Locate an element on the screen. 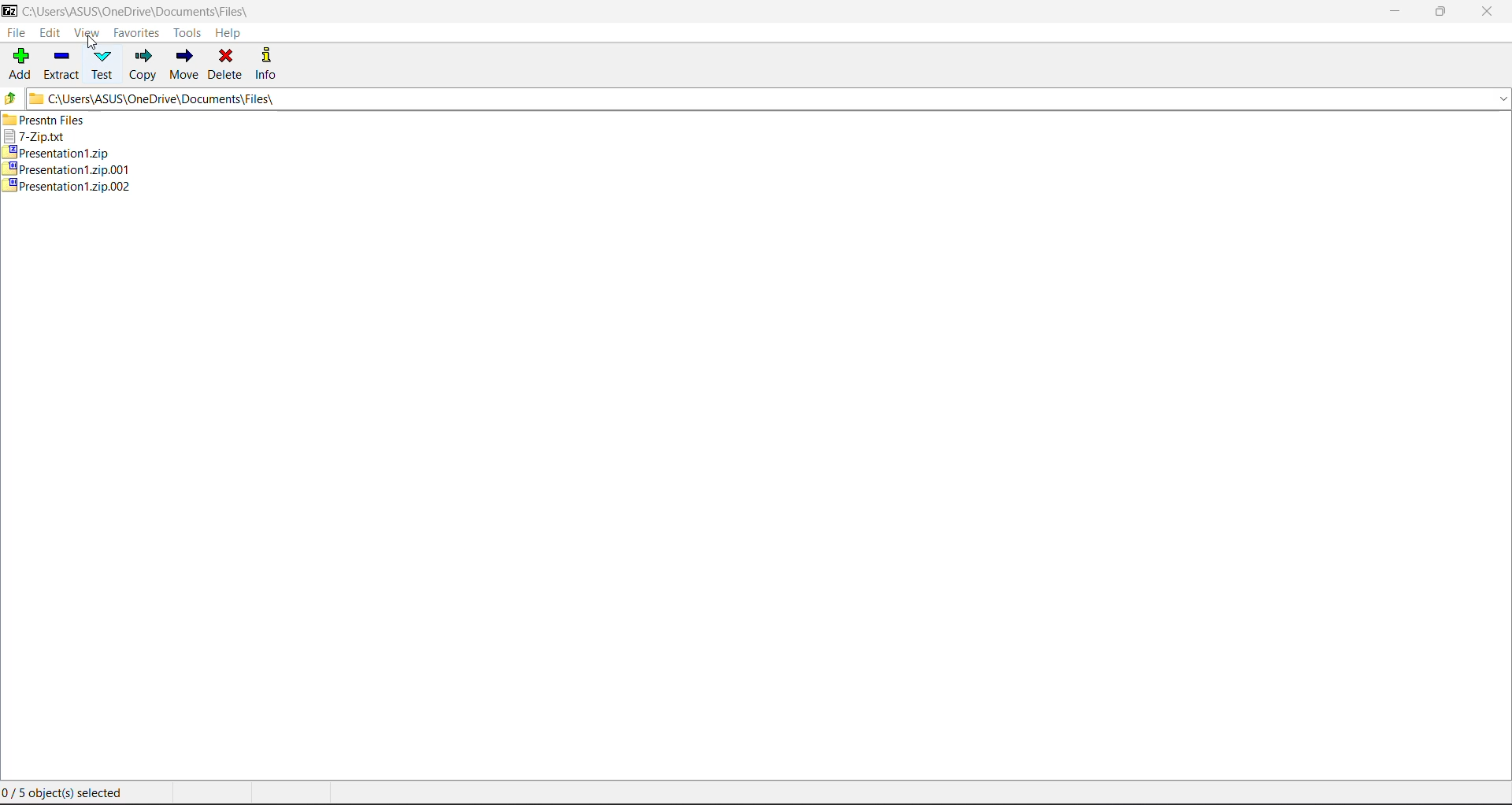 The width and height of the screenshot is (1512, 805). View is located at coordinates (91, 34).